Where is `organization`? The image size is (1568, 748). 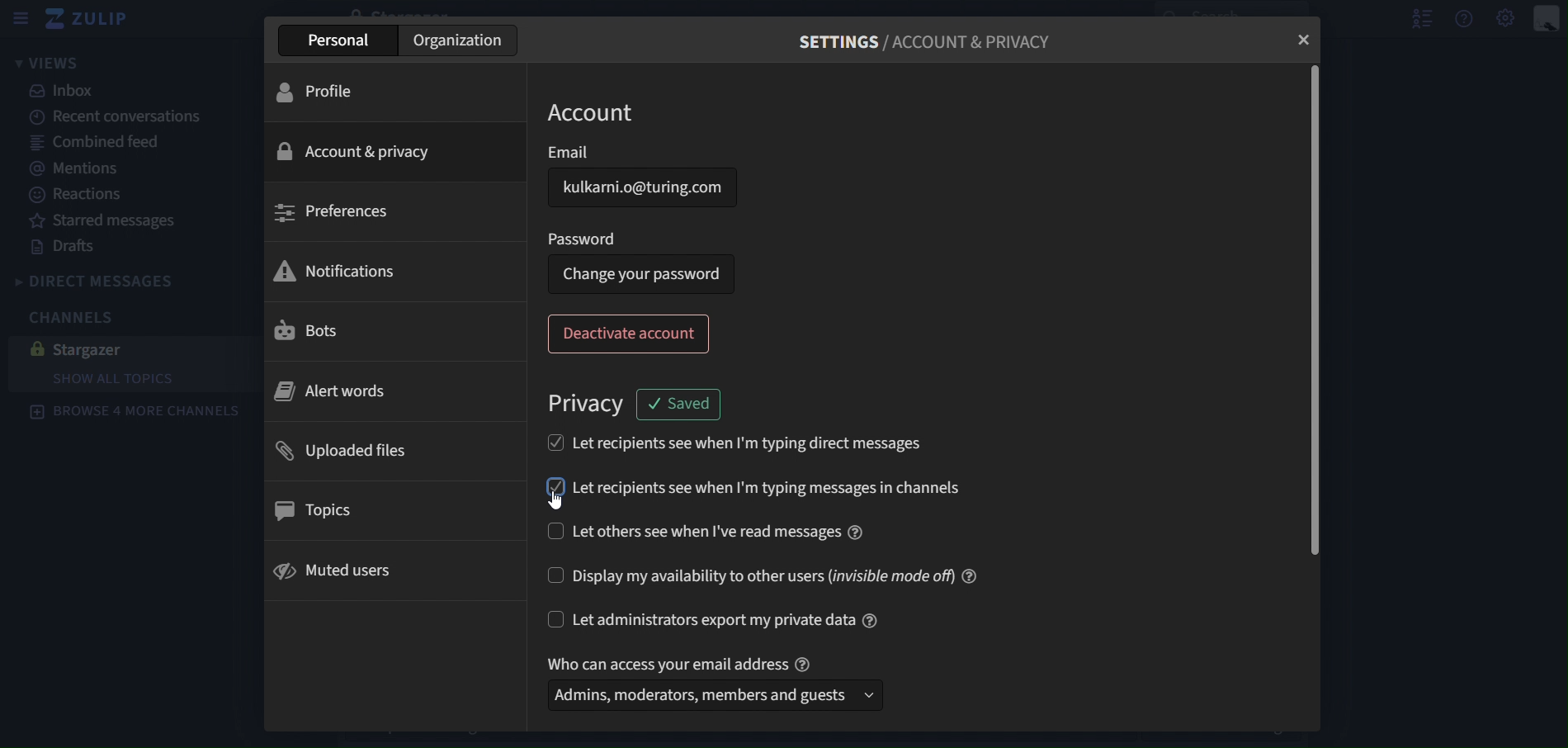 organization is located at coordinates (459, 39).